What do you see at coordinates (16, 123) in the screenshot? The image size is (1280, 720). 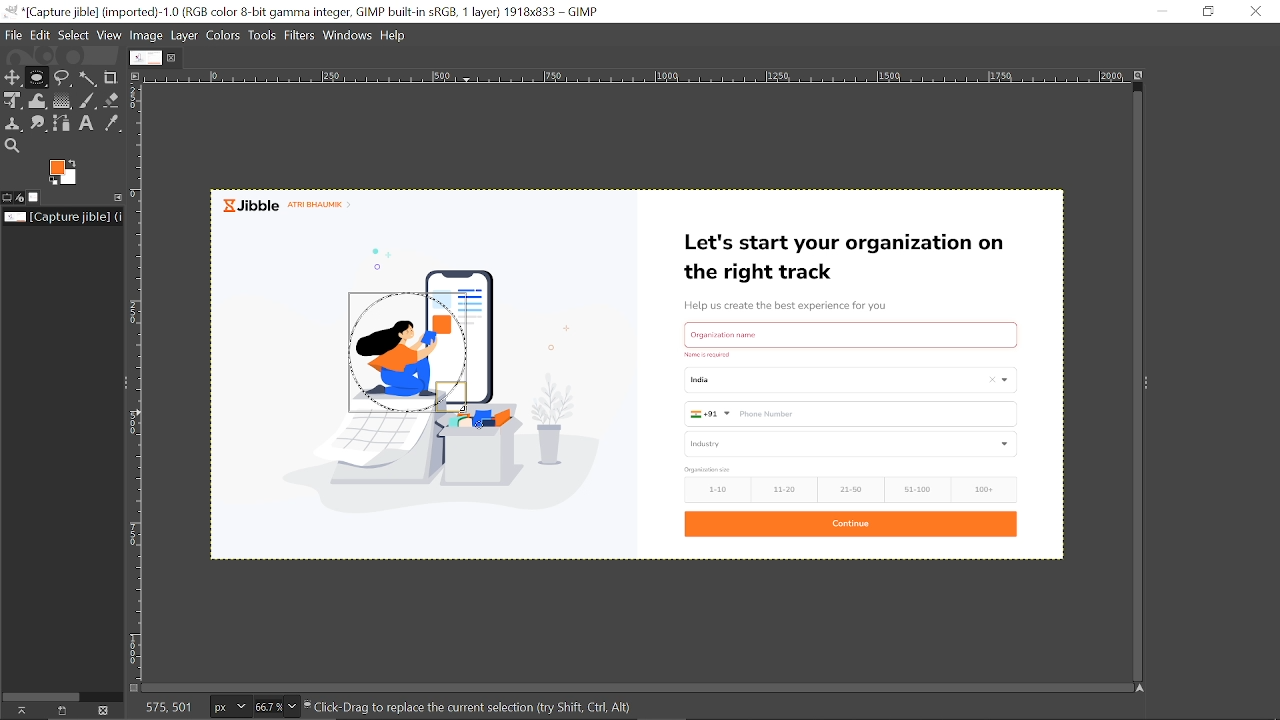 I see `Clone tool` at bounding box center [16, 123].